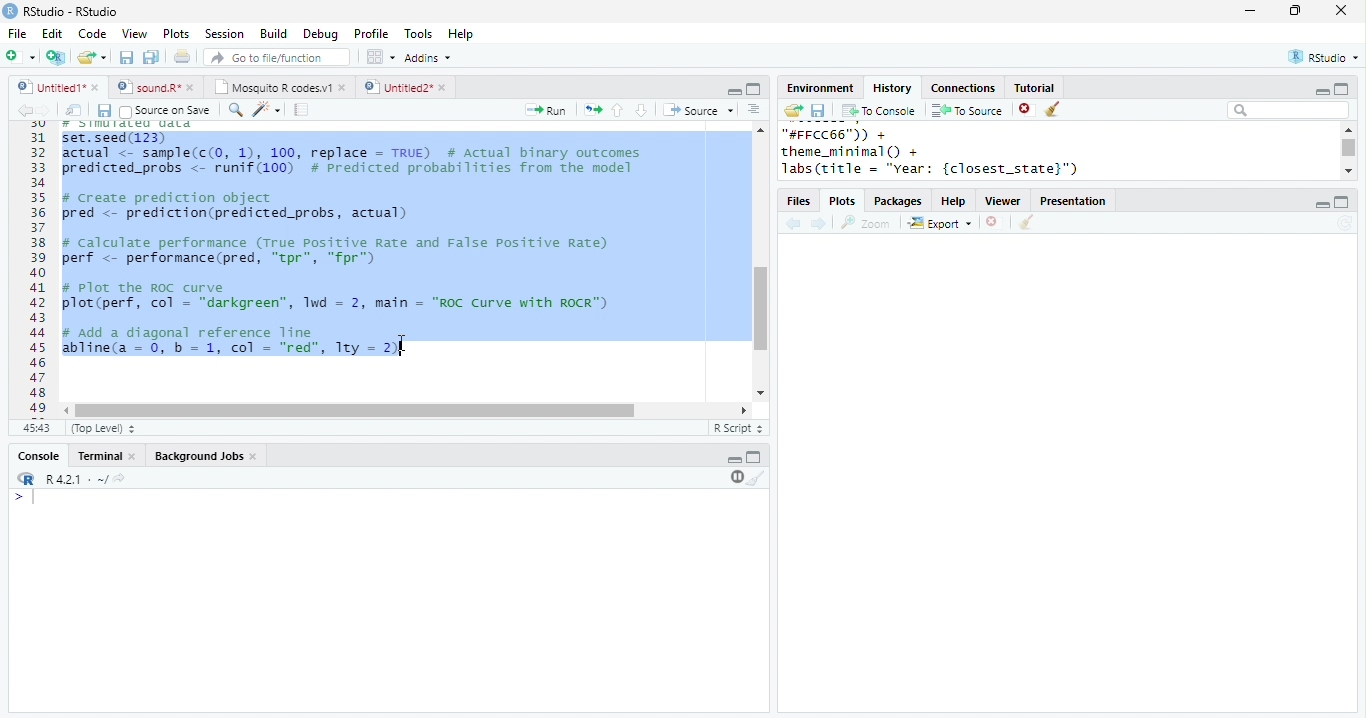 This screenshot has width=1366, height=718. What do you see at coordinates (419, 34) in the screenshot?
I see `Tools` at bounding box center [419, 34].